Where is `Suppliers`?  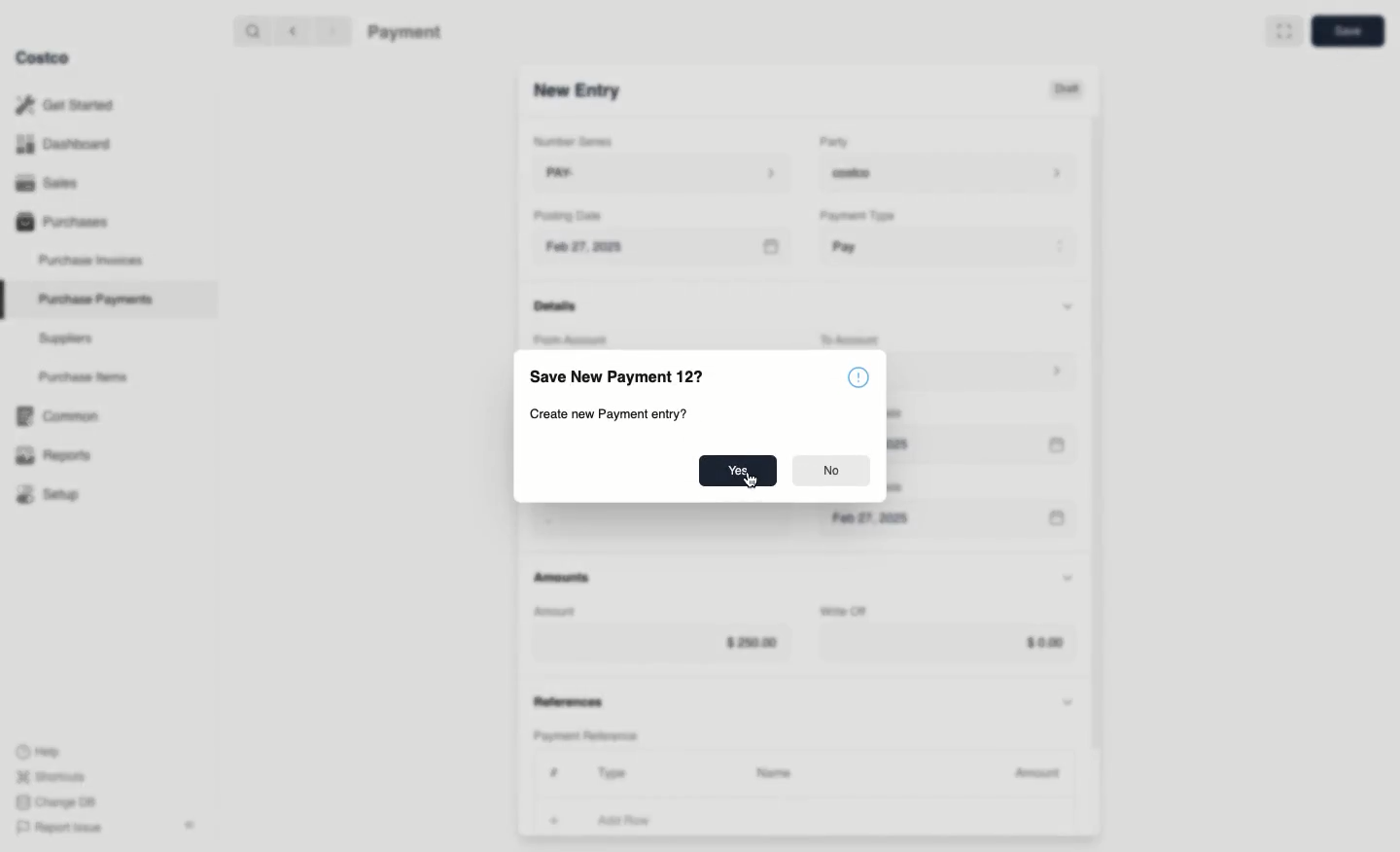
Suppliers is located at coordinates (66, 337).